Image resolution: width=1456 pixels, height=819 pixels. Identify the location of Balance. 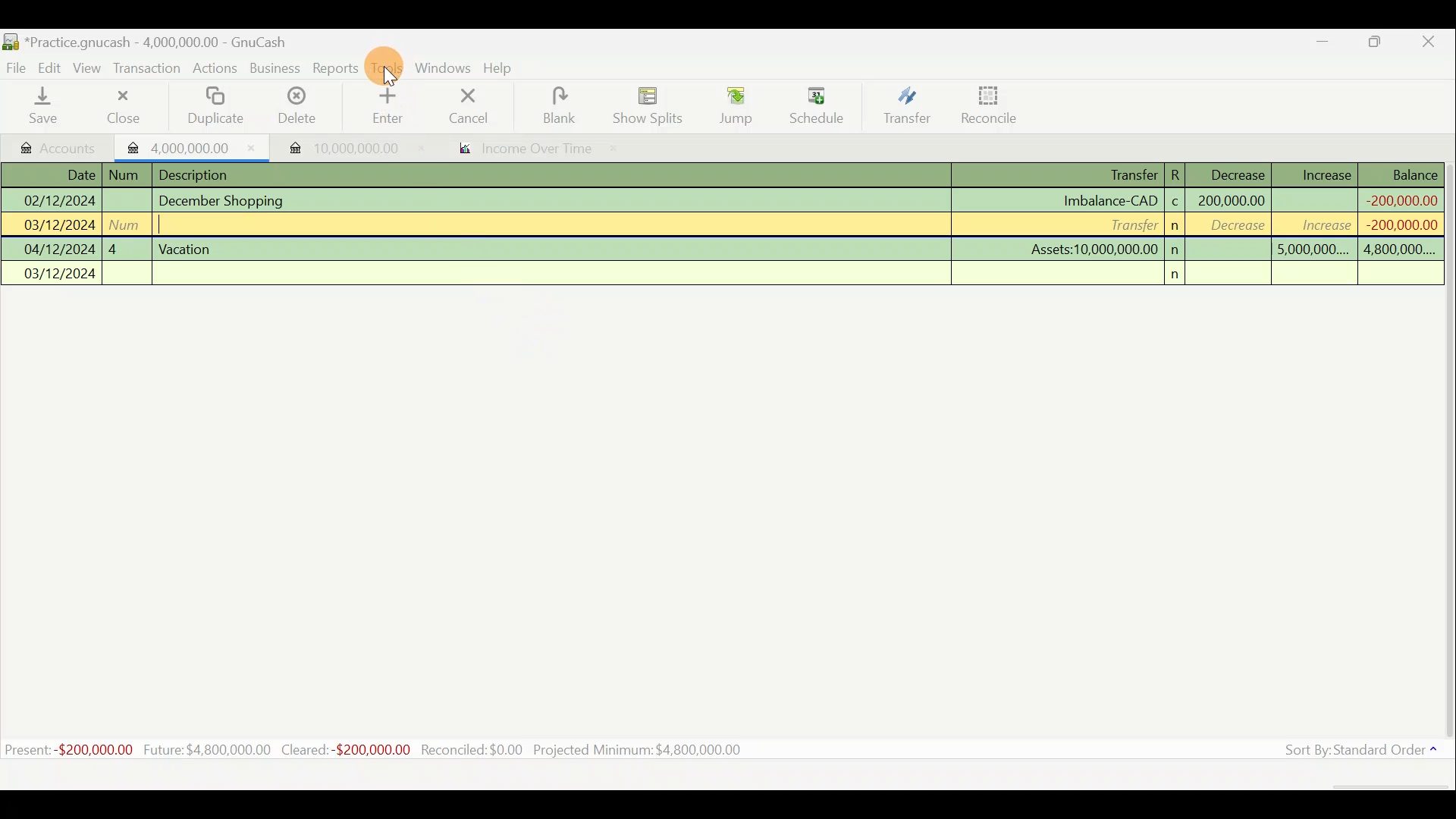
(1402, 174).